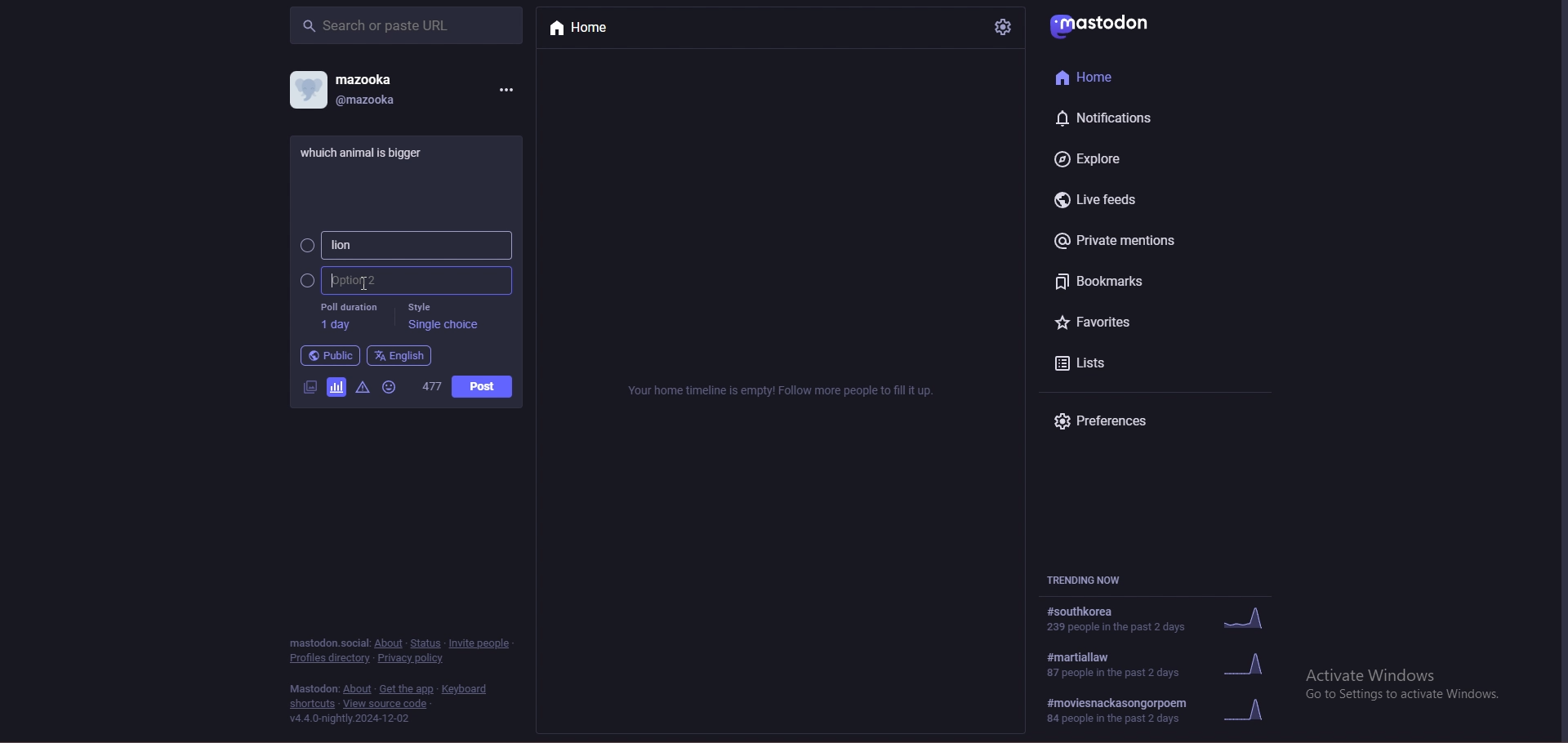 The image size is (1568, 743). I want to click on menu, so click(506, 88).